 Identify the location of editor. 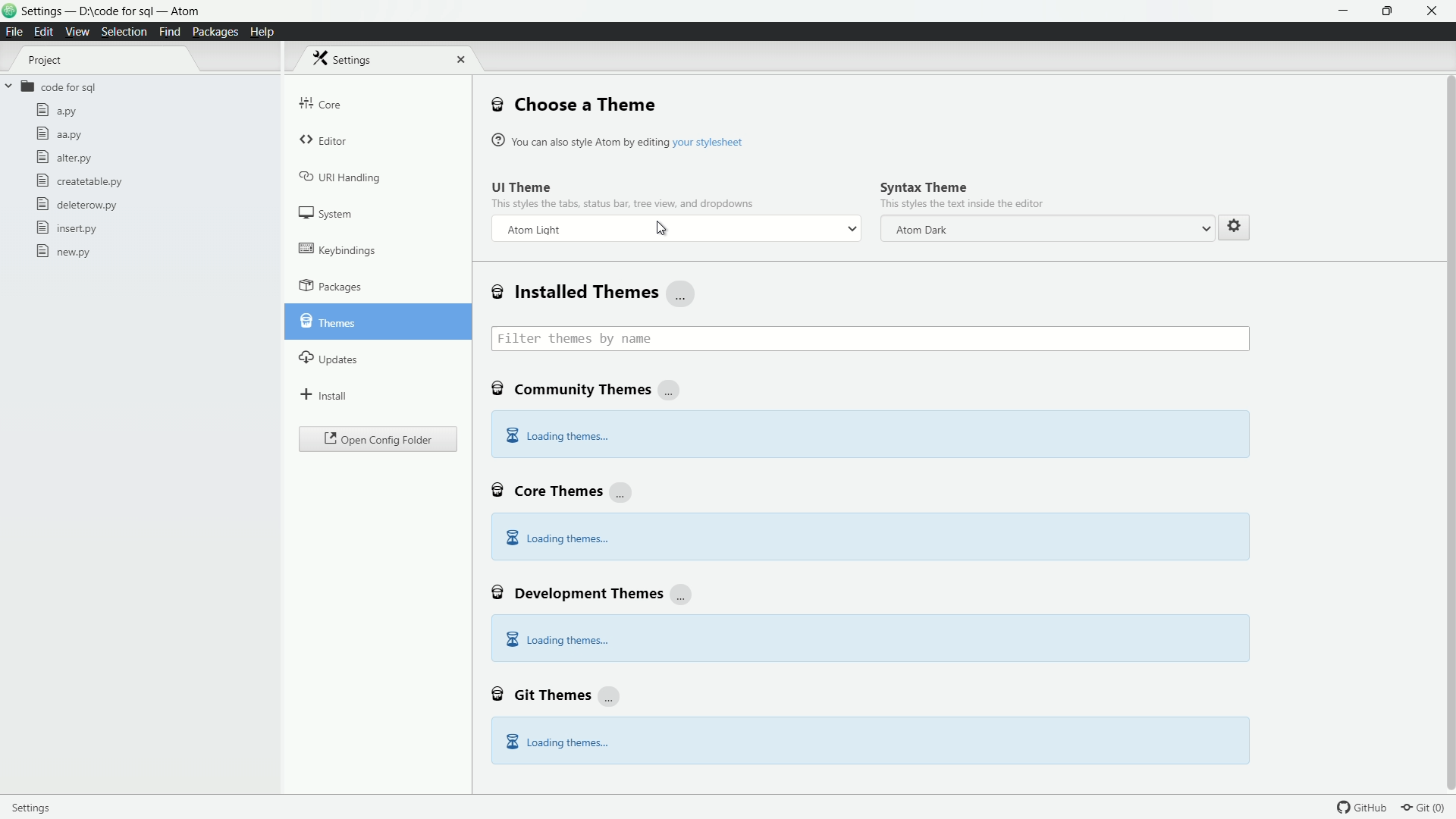
(325, 142).